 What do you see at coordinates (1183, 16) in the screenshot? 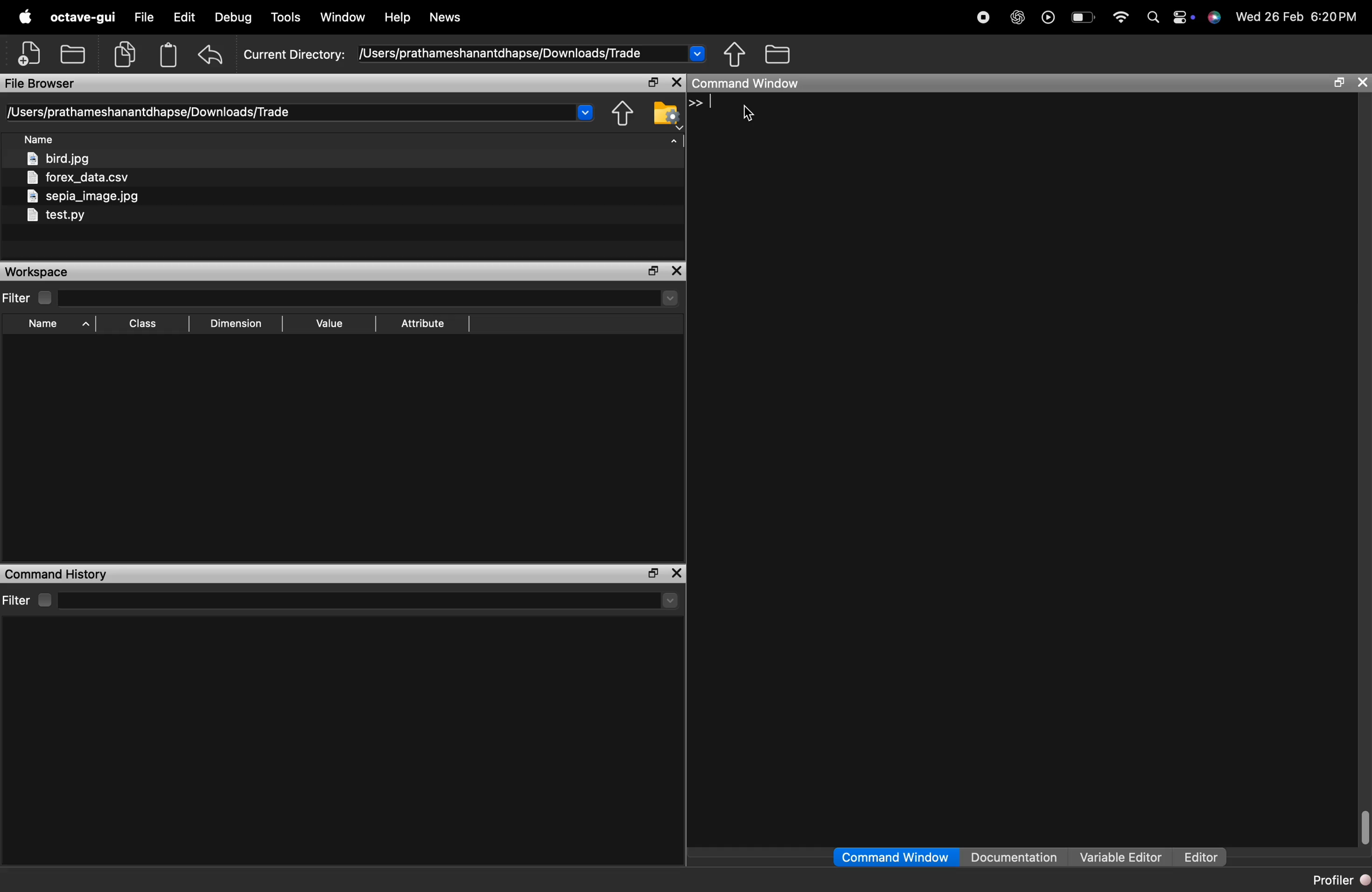
I see `more options` at bounding box center [1183, 16].